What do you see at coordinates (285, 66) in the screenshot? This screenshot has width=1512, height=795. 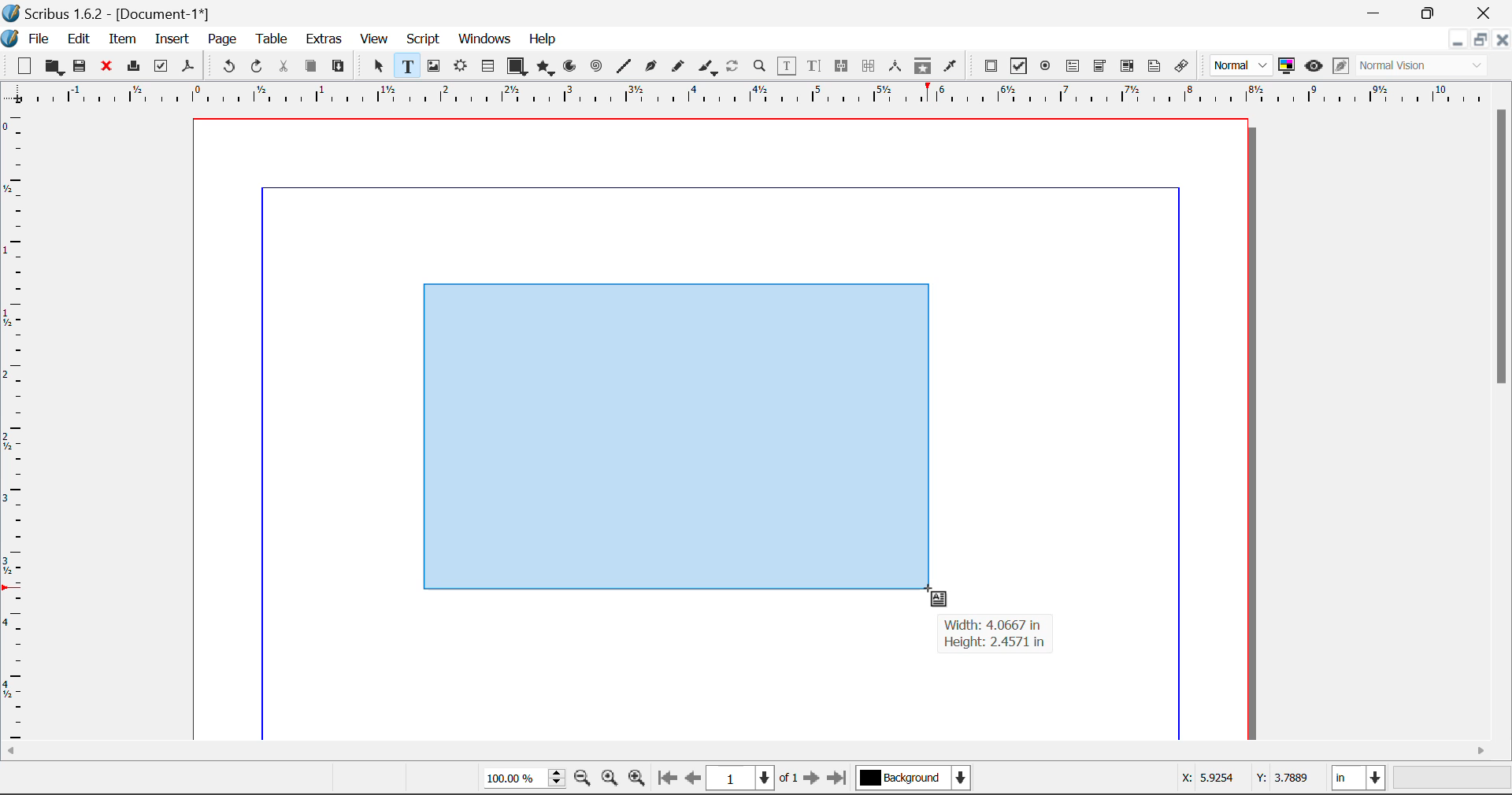 I see `Cut` at bounding box center [285, 66].